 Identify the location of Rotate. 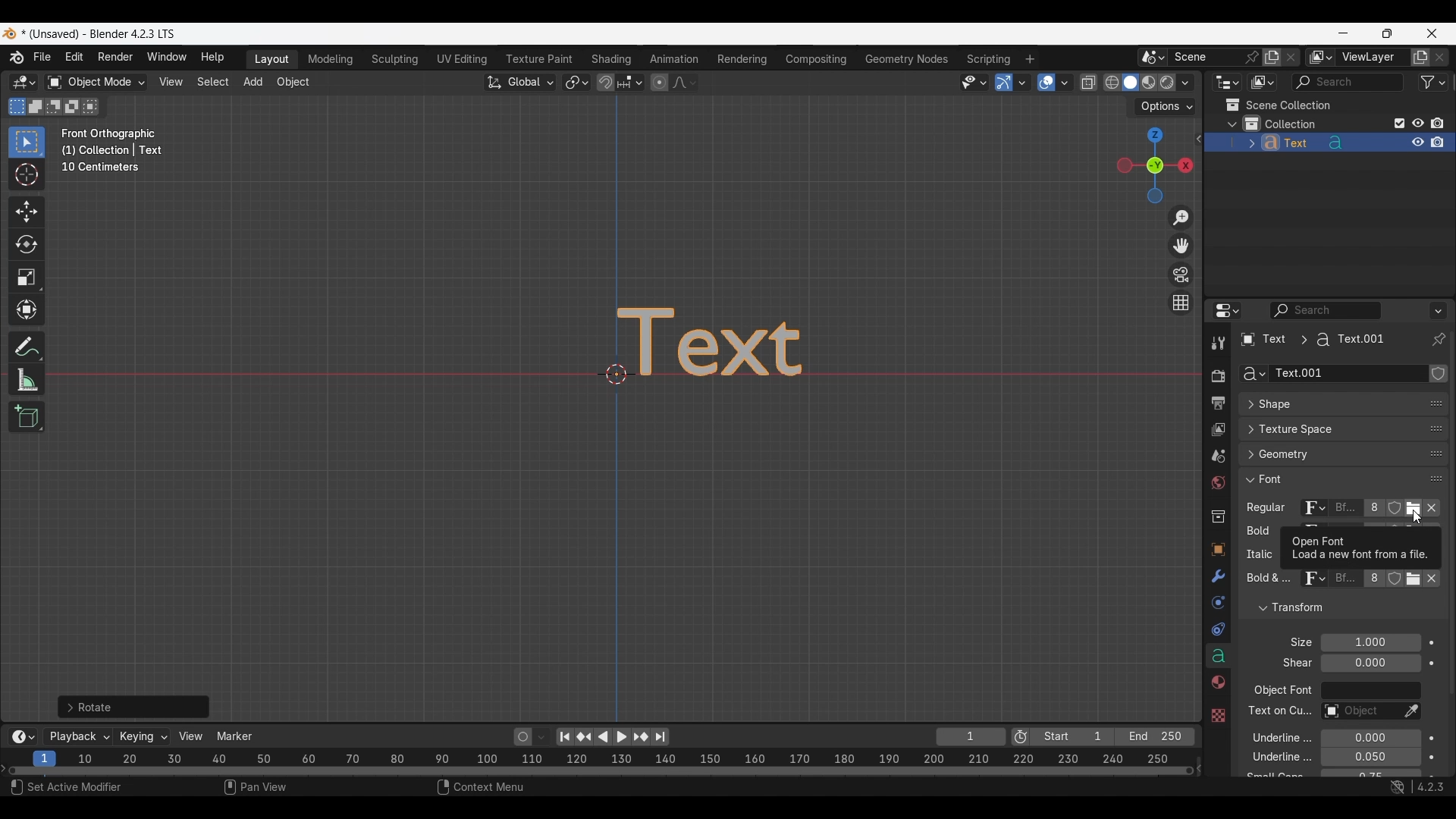
(27, 244).